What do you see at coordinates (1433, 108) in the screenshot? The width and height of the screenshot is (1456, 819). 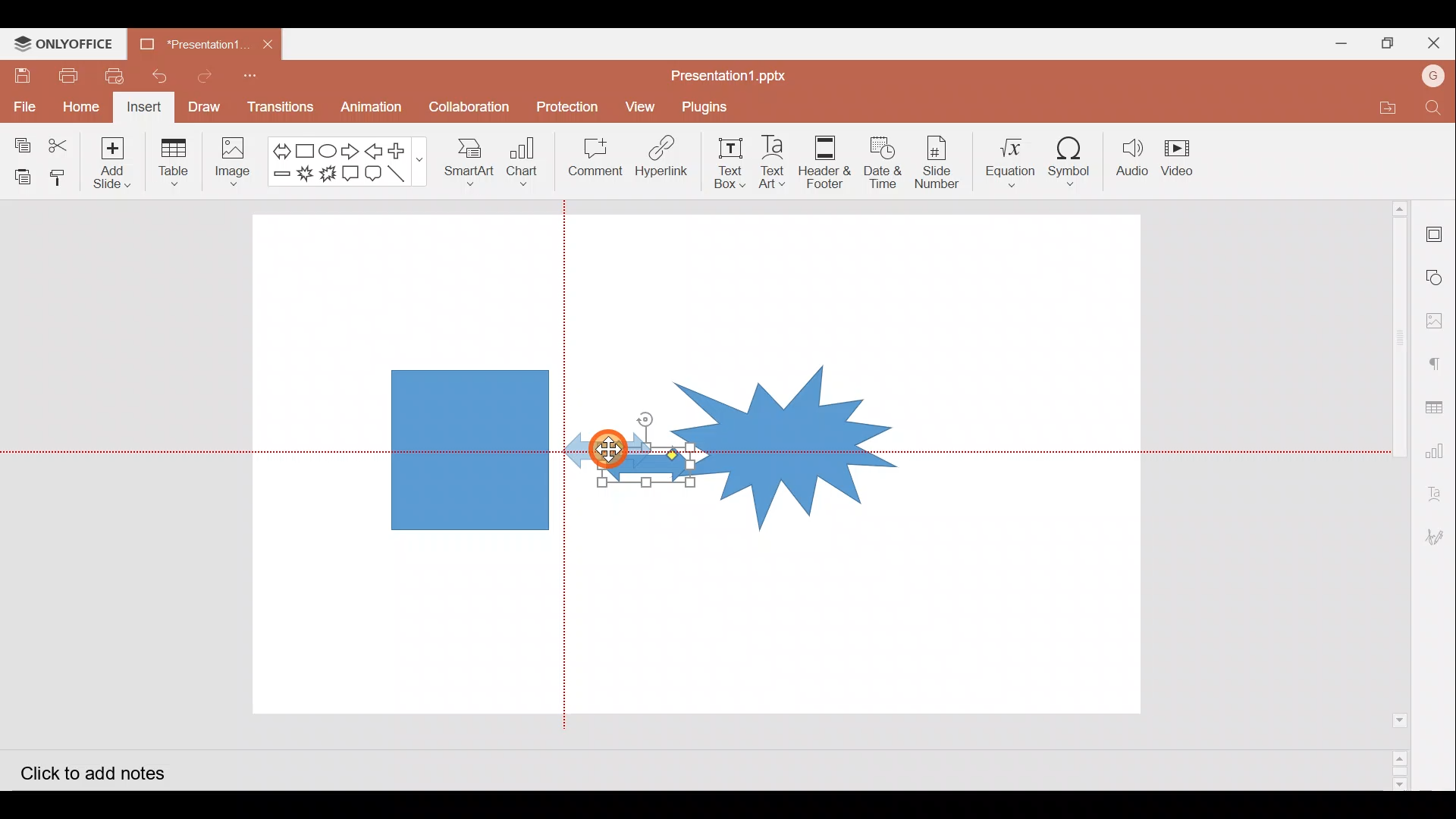 I see `Find` at bounding box center [1433, 108].